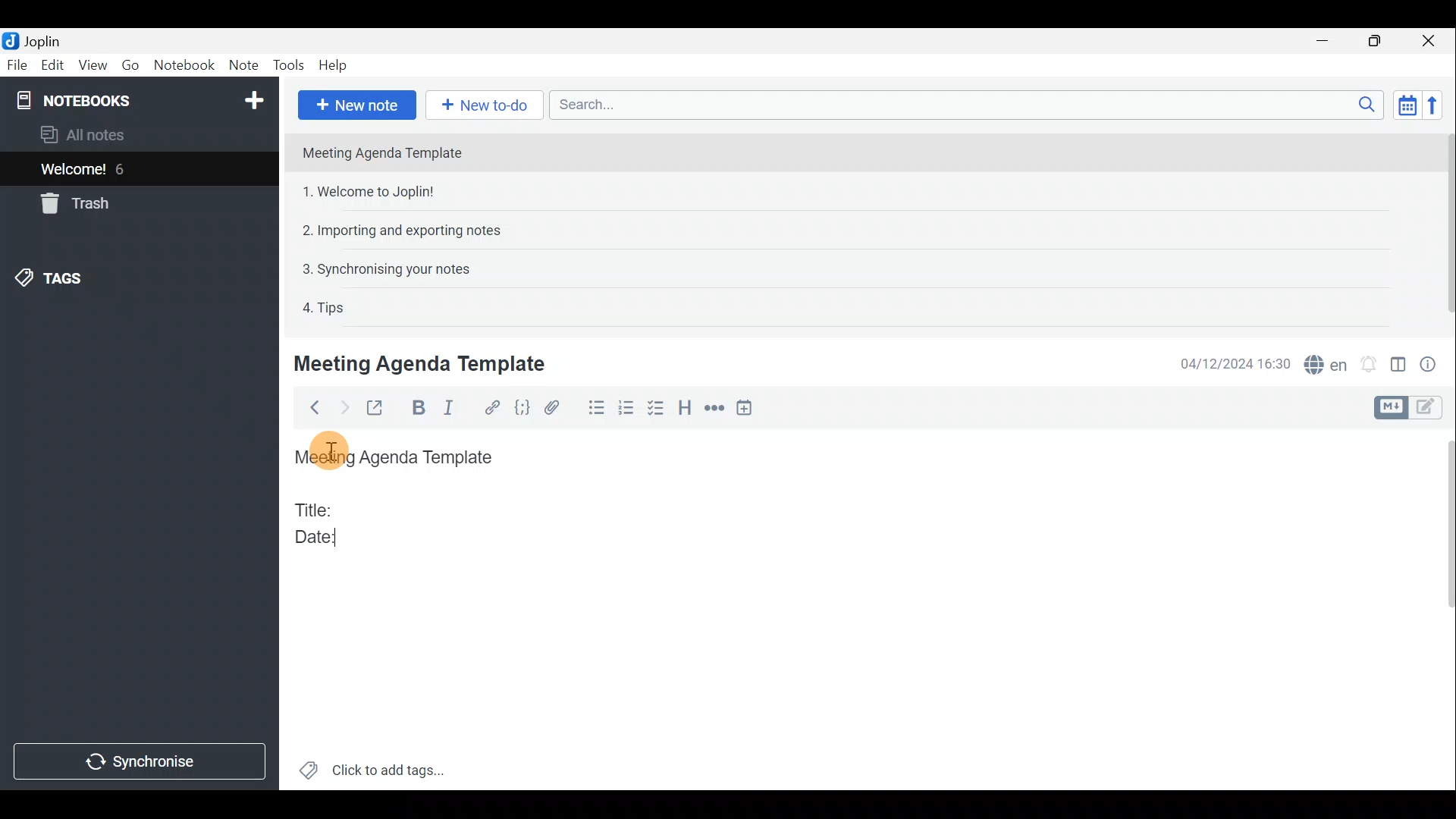  What do you see at coordinates (124, 169) in the screenshot?
I see `6` at bounding box center [124, 169].